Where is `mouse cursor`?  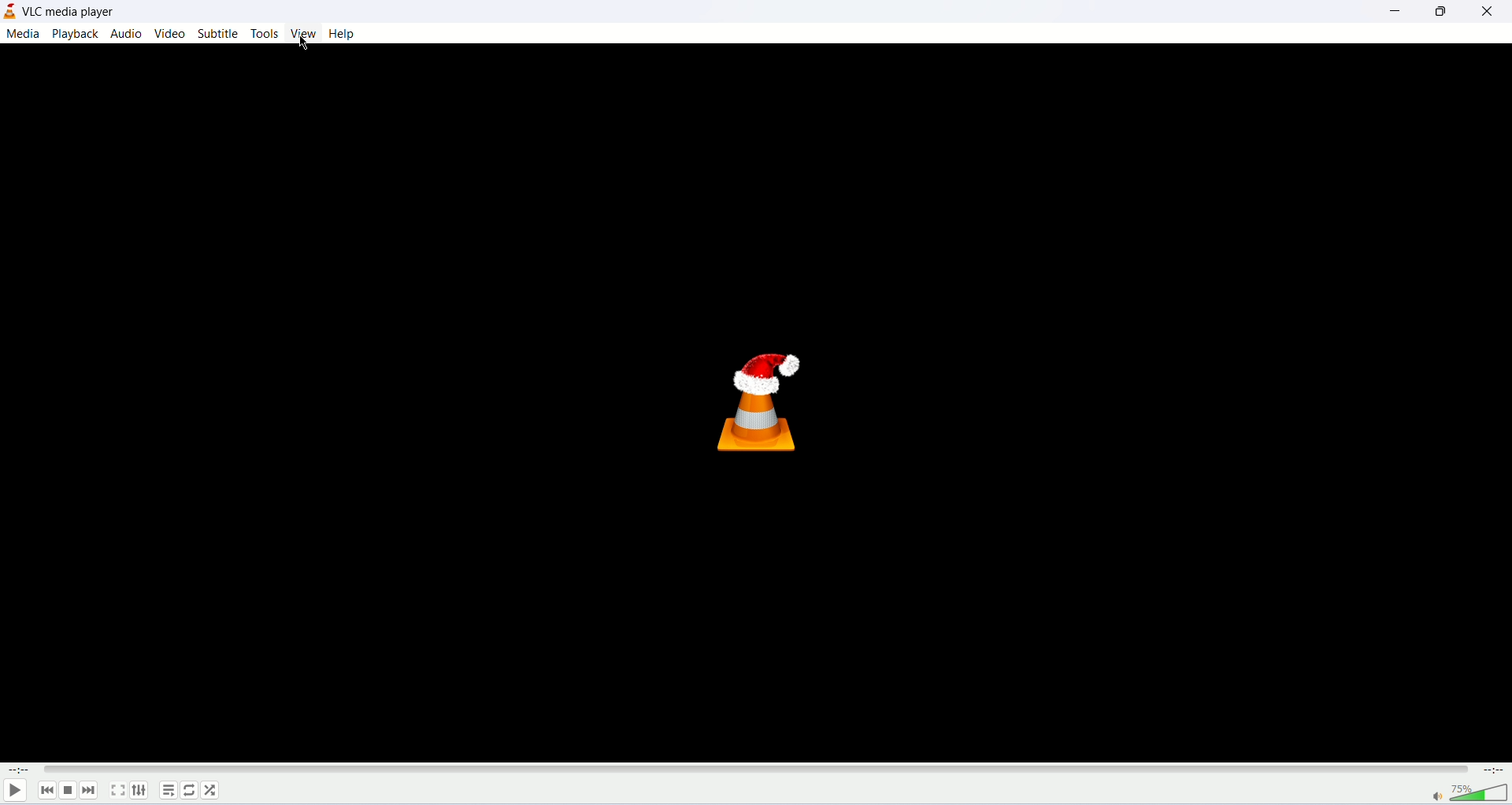
mouse cursor is located at coordinates (305, 43).